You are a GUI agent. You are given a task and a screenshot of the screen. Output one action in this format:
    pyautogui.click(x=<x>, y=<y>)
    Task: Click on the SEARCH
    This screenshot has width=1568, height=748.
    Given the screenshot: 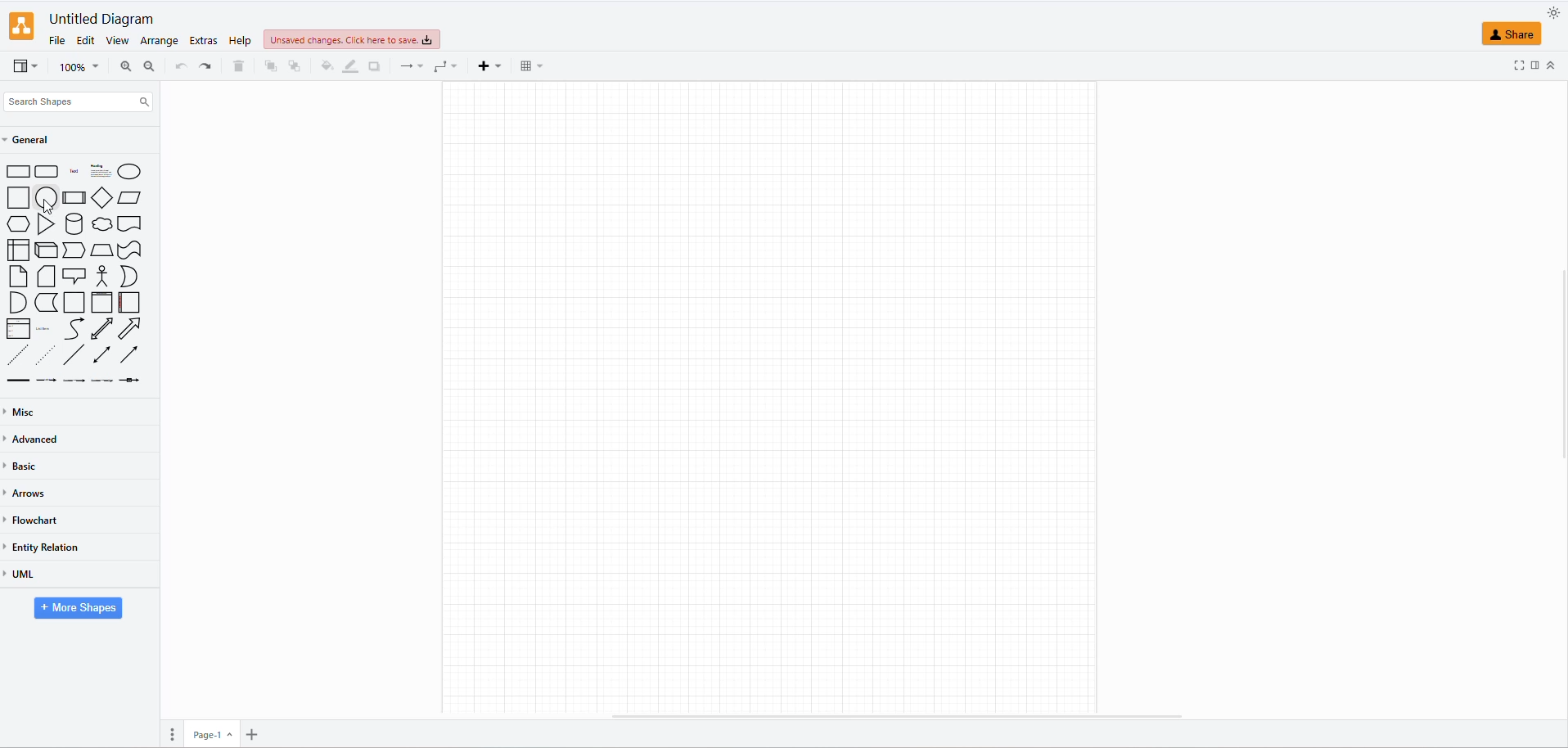 What is the action you would take?
    pyautogui.click(x=75, y=104)
    